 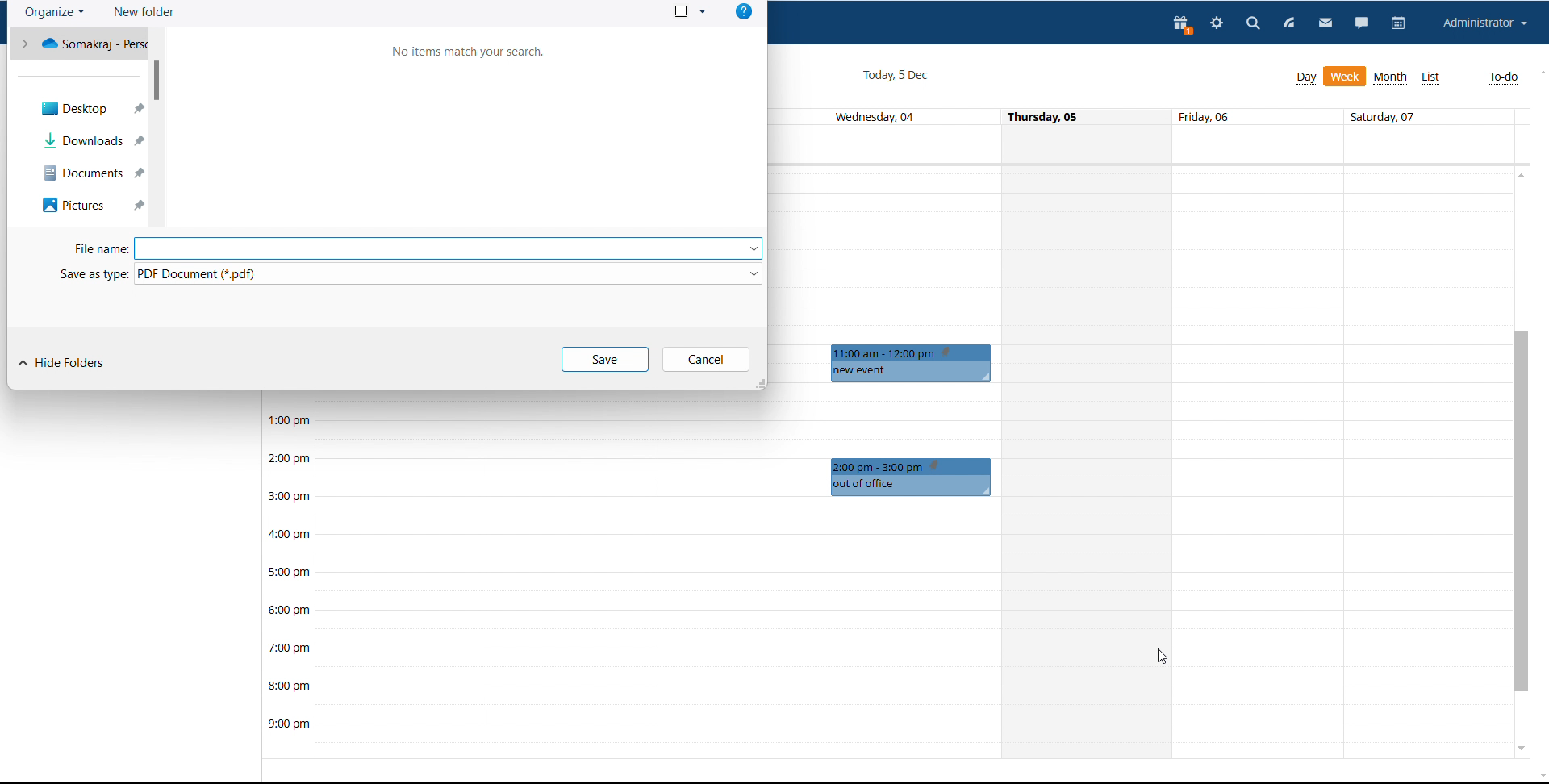 I want to click on list view, so click(x=1431, y=78).